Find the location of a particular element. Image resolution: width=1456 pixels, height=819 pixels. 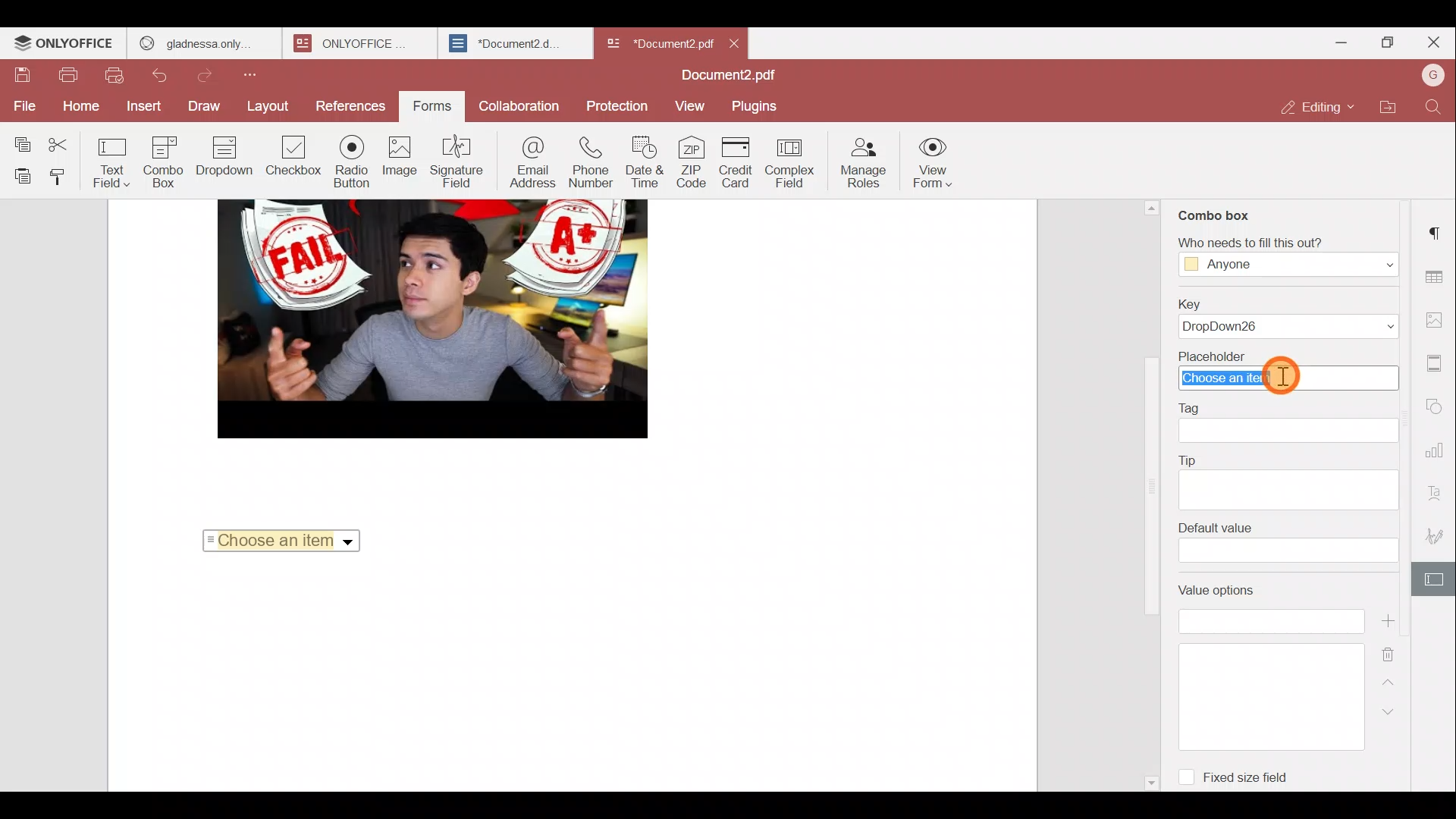

Paste is located at coordinates (20, 176).